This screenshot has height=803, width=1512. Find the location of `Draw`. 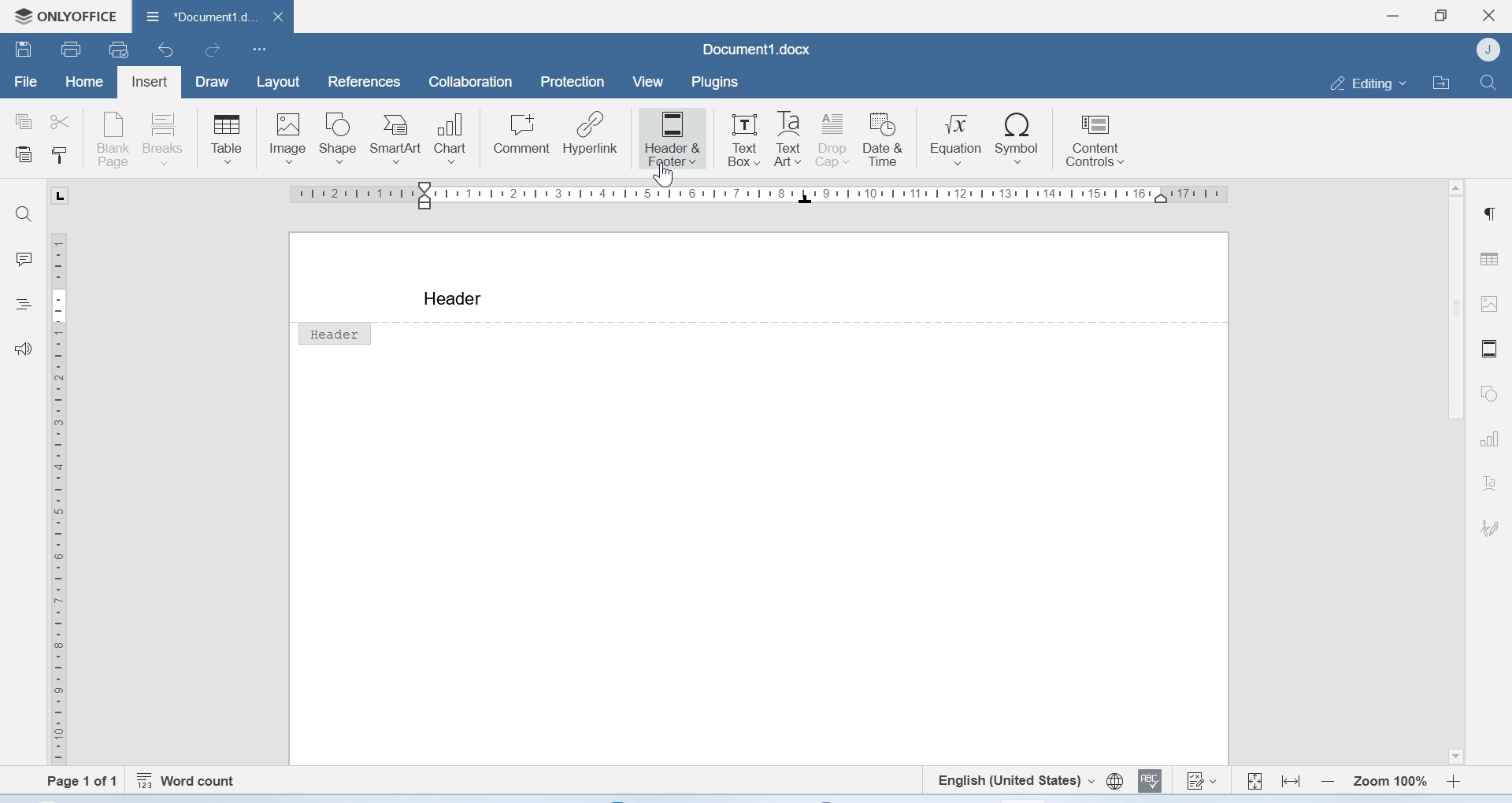

Draw is located at coordinates (216, 81).